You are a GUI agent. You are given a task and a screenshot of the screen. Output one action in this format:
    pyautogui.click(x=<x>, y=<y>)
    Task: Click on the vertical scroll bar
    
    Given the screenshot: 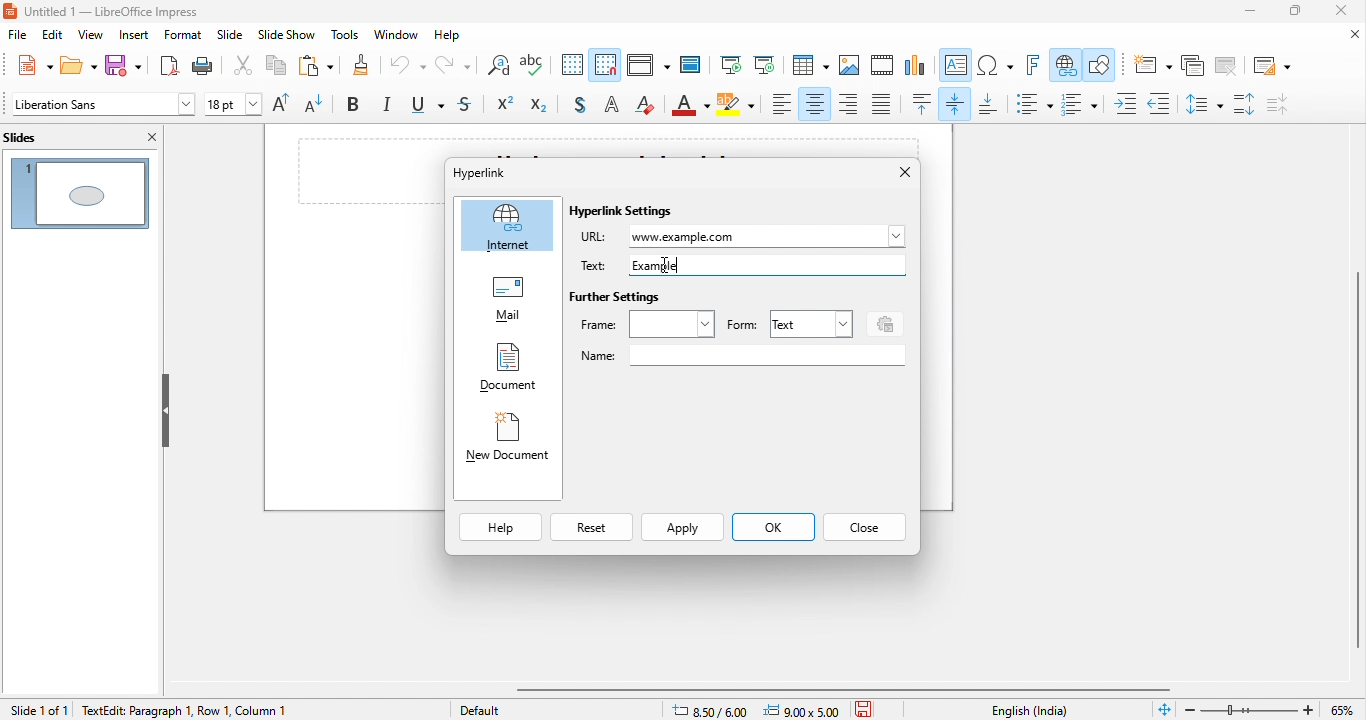 What is the action you would take?
    pyautogui.click(x=1355, y=448)
    